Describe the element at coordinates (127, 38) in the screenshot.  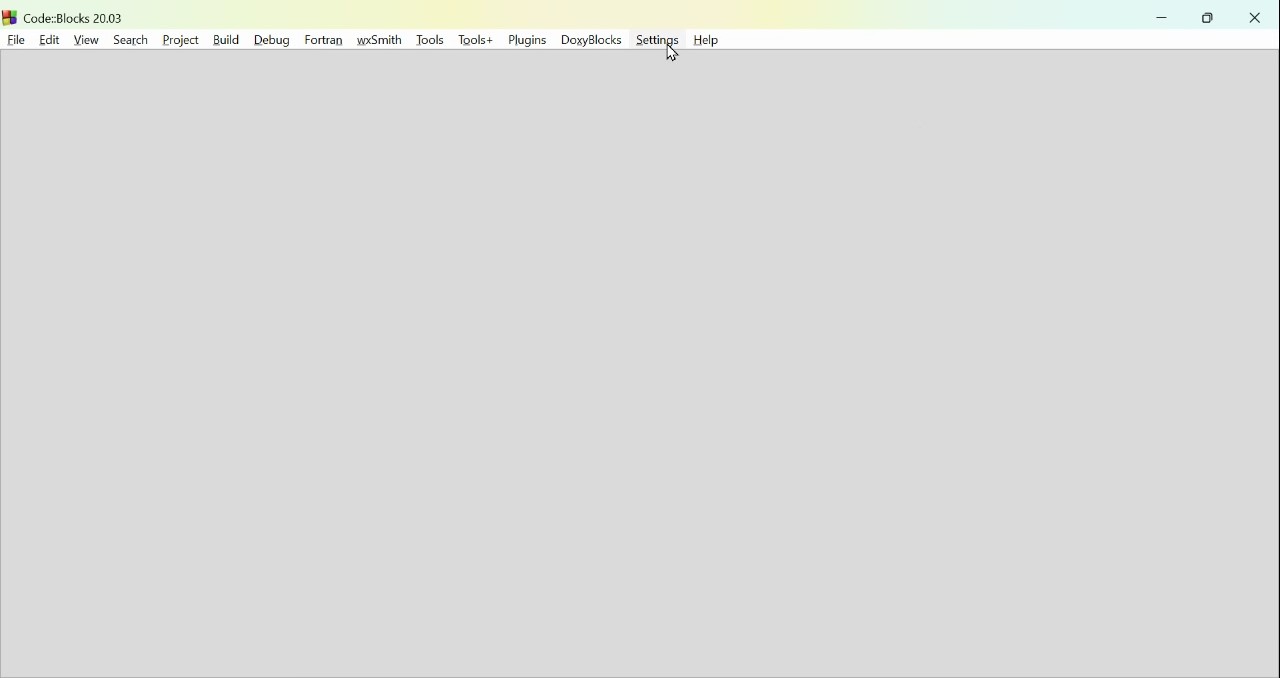
I see `Search` at that location.